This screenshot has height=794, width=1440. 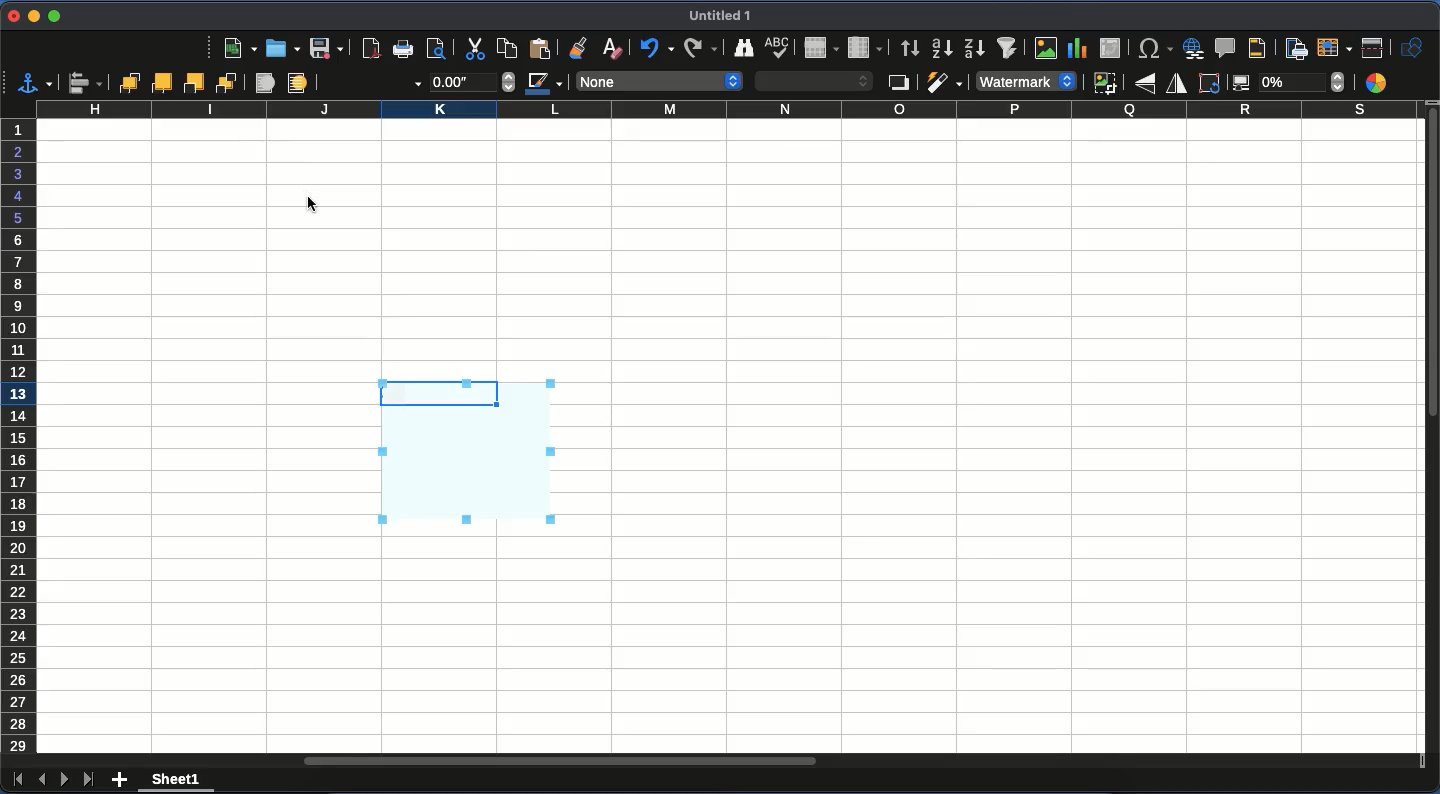 What do you see at coordinates (1023, 82) in the screenshot?
I see `default` at bounding box center [1023, 82].